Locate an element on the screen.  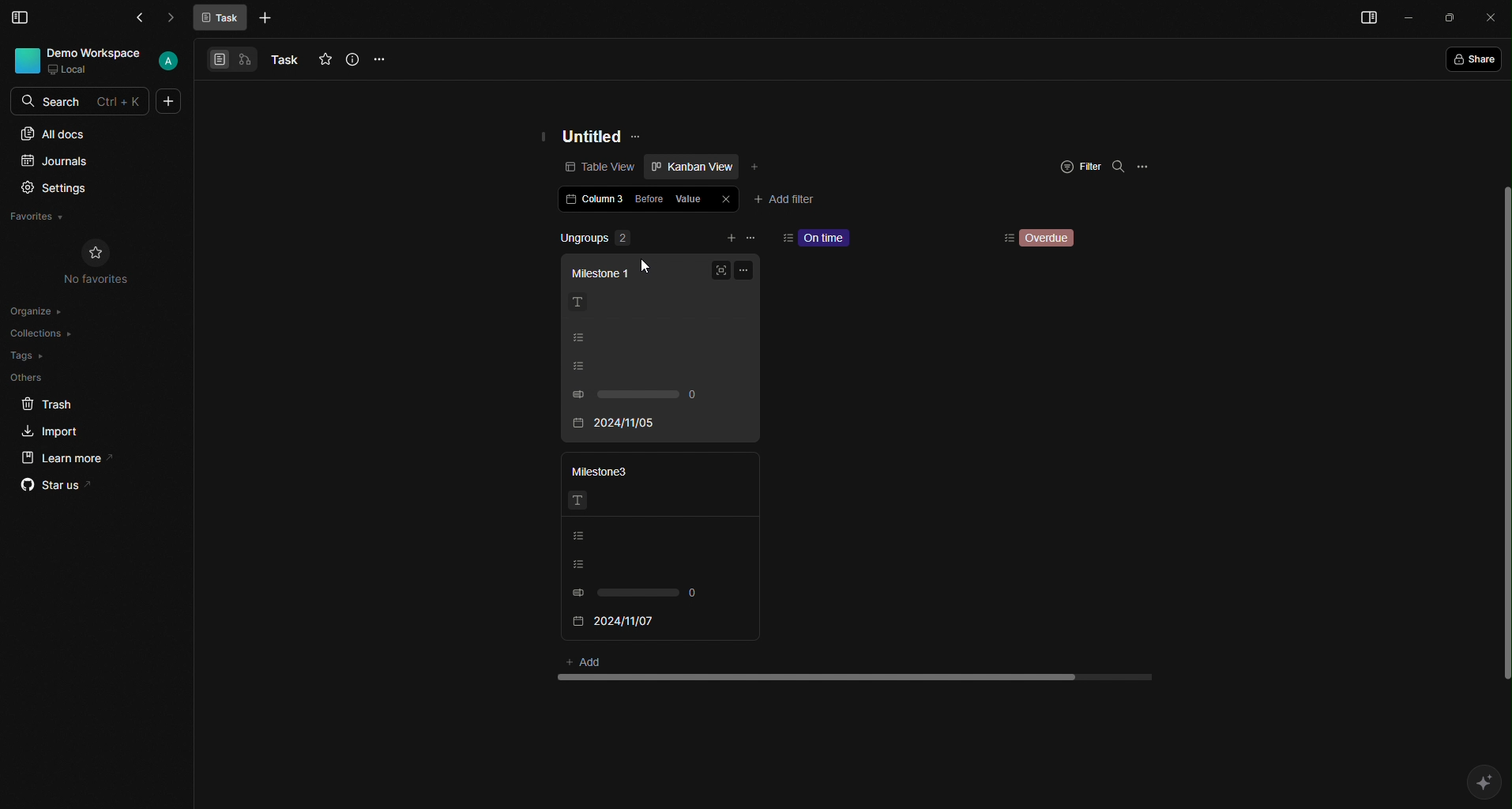
Learn more is located at coordinates (73, 457).